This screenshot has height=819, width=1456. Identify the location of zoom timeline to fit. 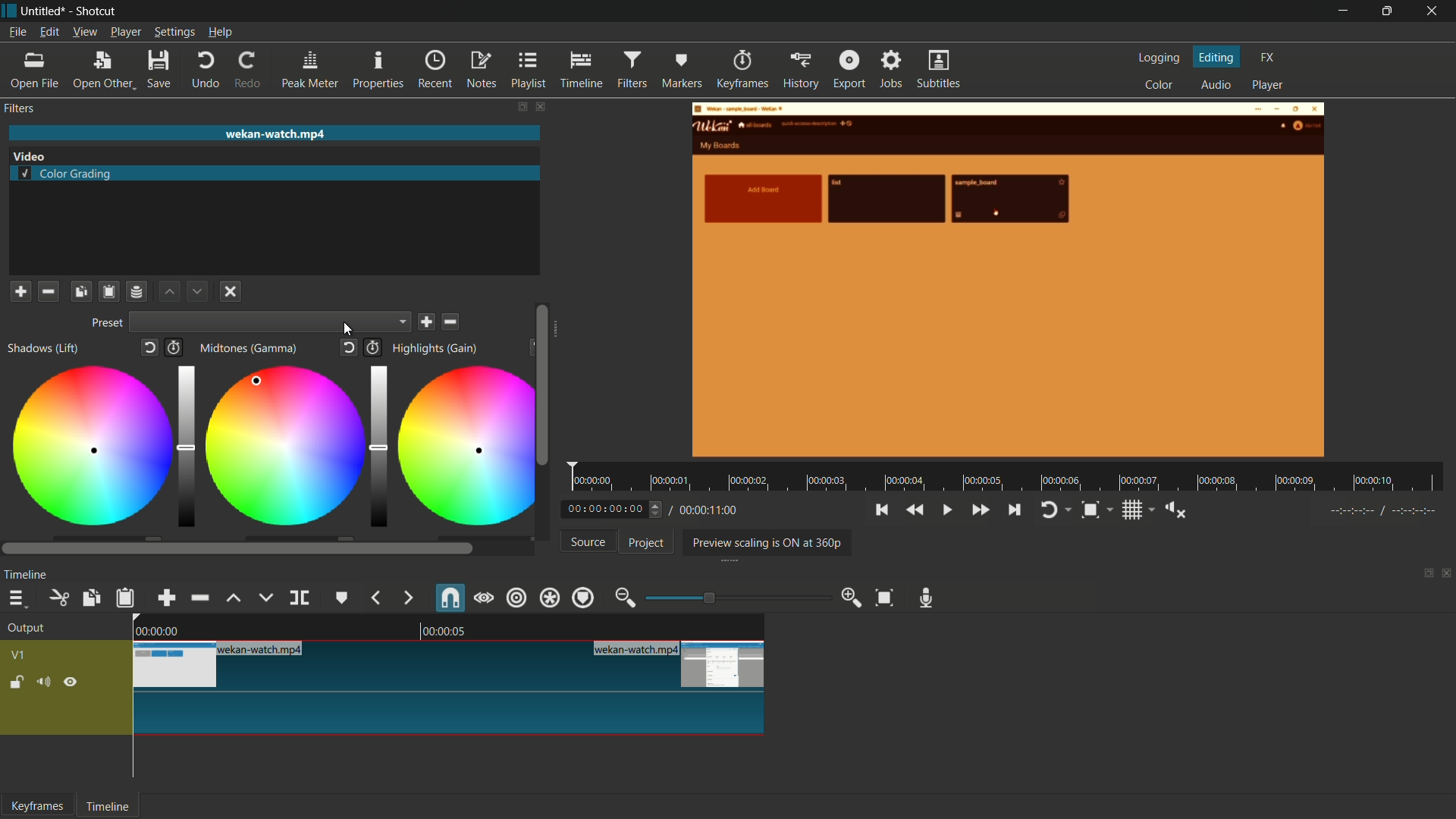
(885, 598).